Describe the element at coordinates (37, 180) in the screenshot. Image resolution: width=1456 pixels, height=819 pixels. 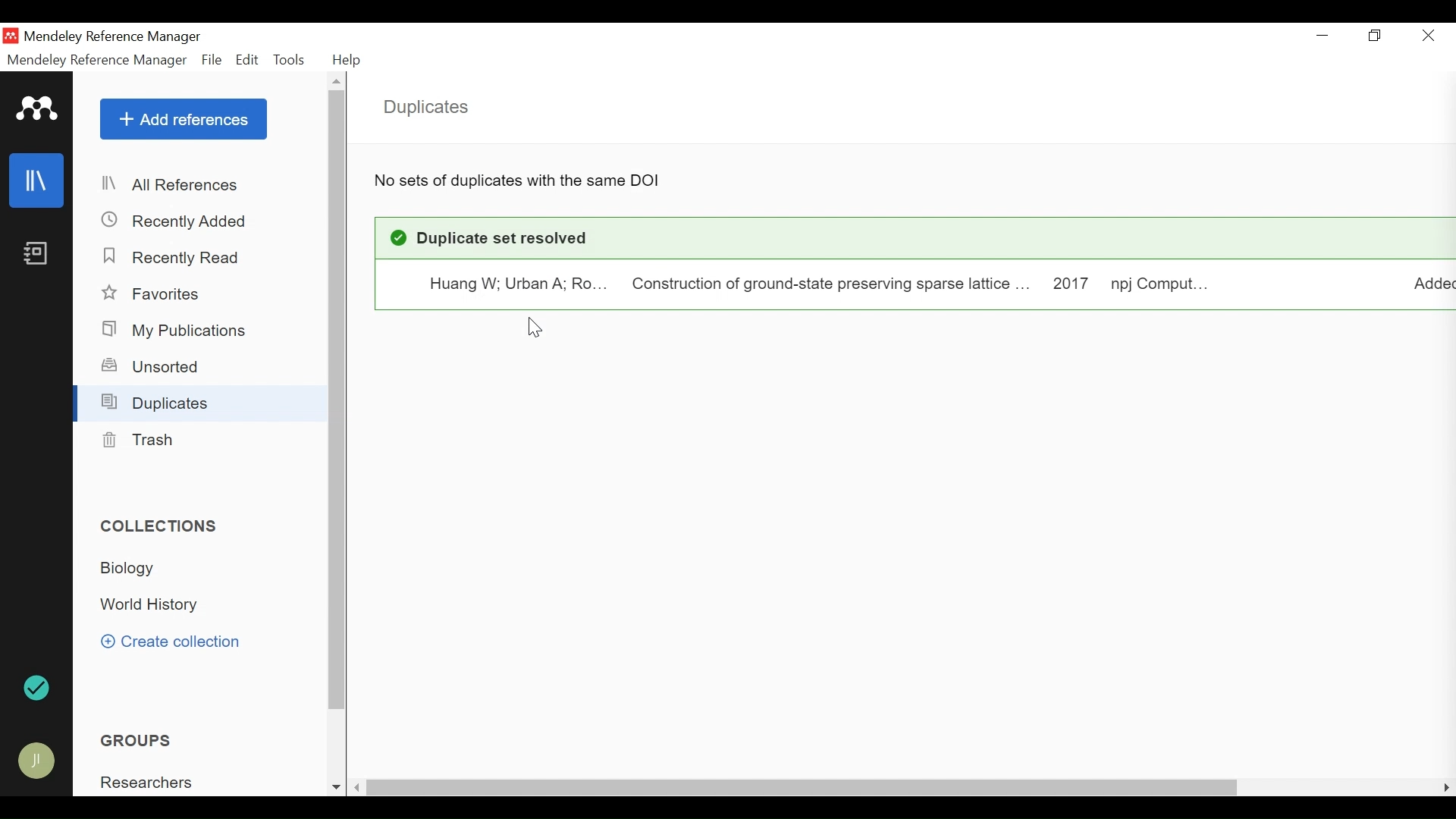
I see `Library` at that location.